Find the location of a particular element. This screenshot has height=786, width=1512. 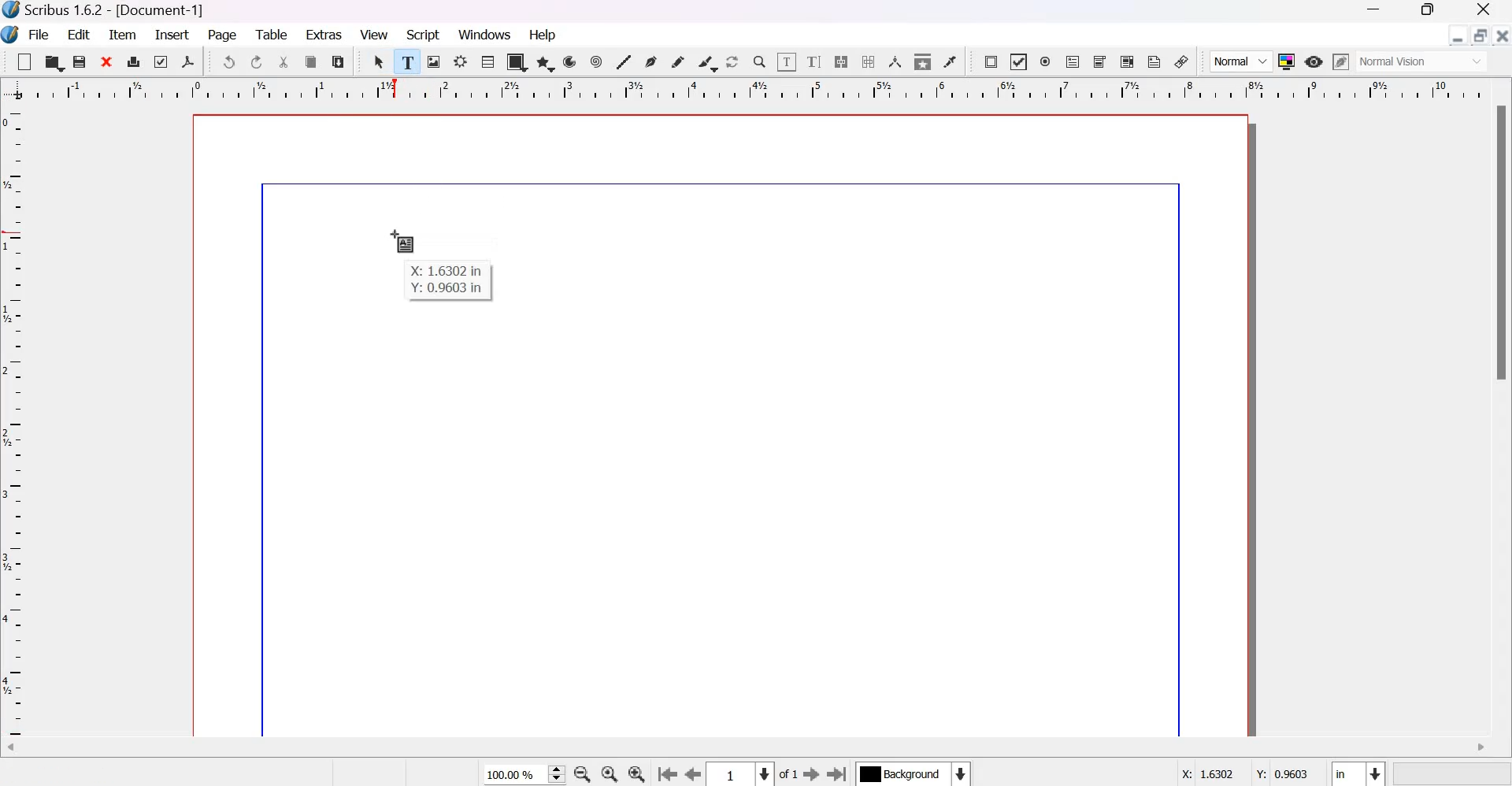

save as pdf is located at coordinates (187, 61).